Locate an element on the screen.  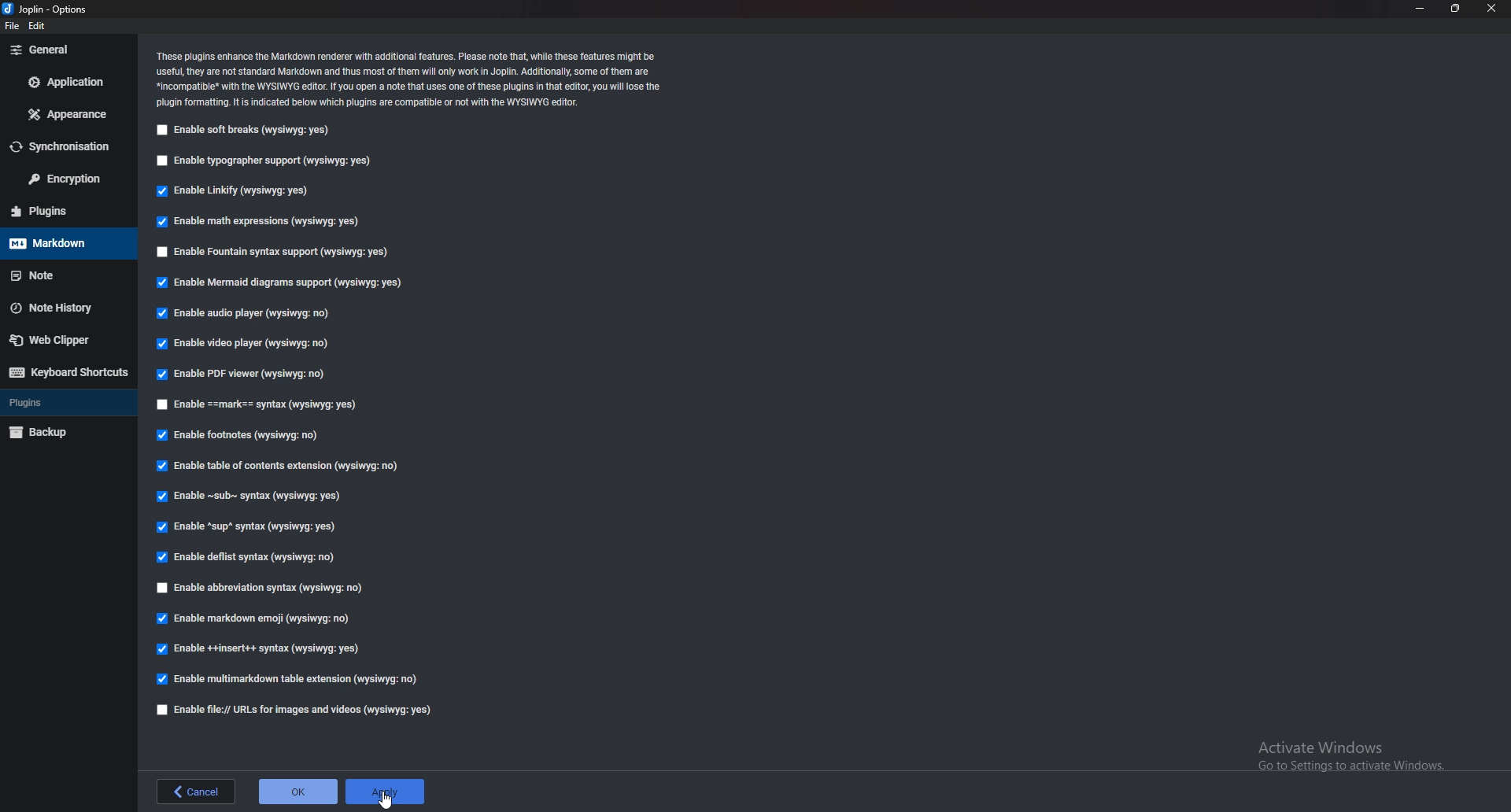
Application is located at coordinates (64, 83).